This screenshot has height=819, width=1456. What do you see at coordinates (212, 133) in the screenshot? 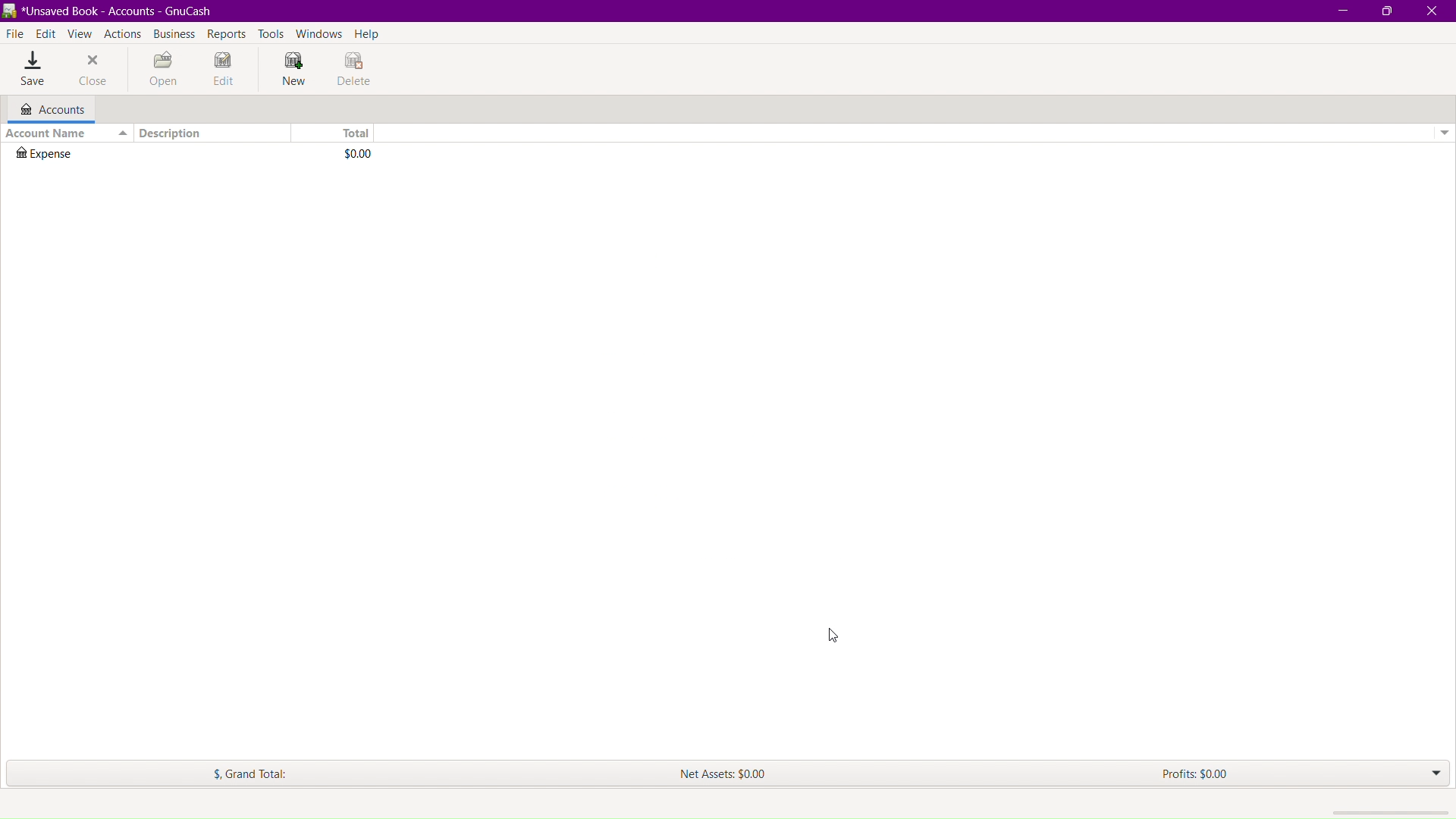
I see `Description` at bounding box center [212, 133].